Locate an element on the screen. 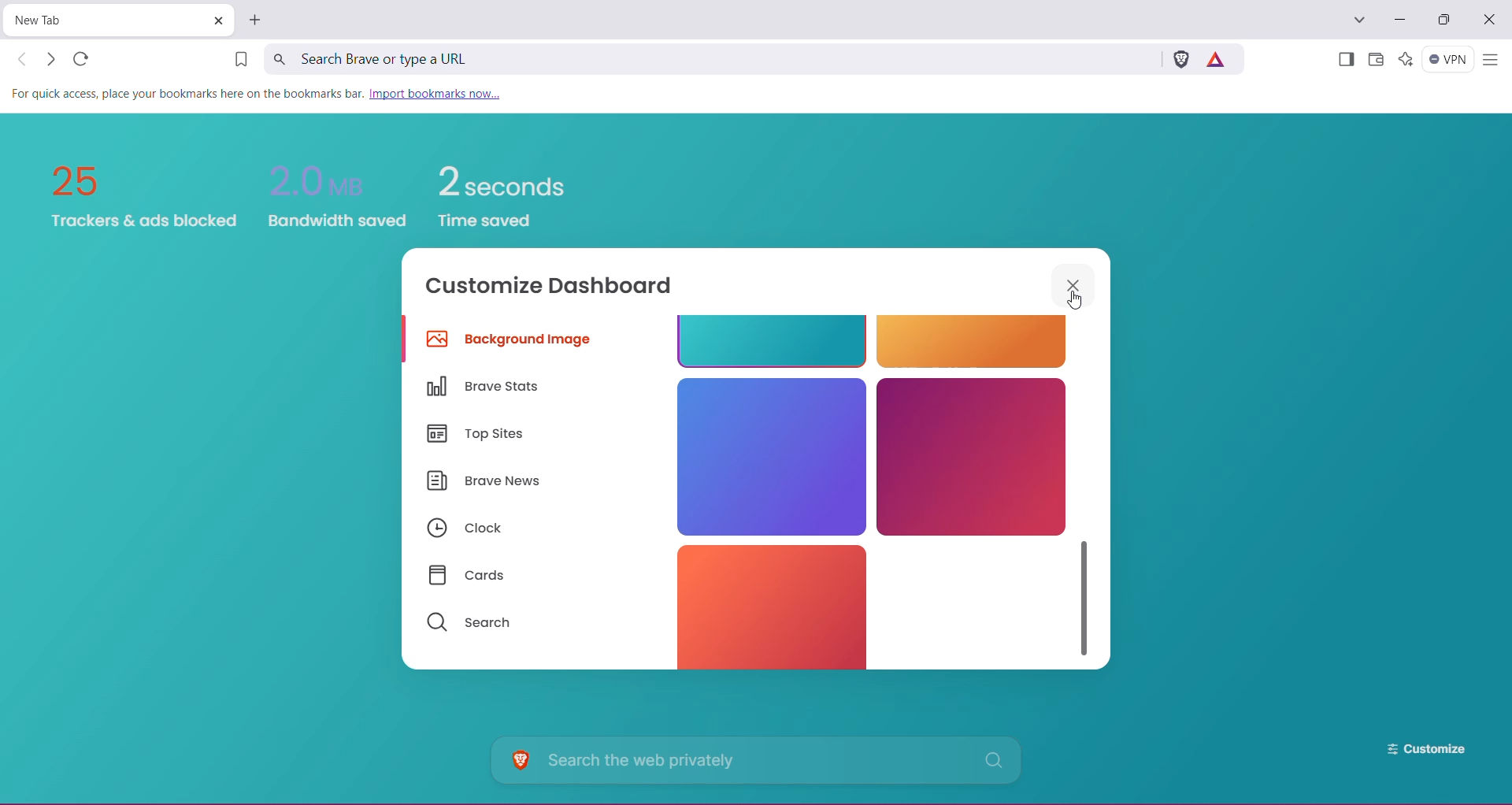  For quick access, place your bookmarks here on the bookmarks bar. is located at coordinates (187, 95).